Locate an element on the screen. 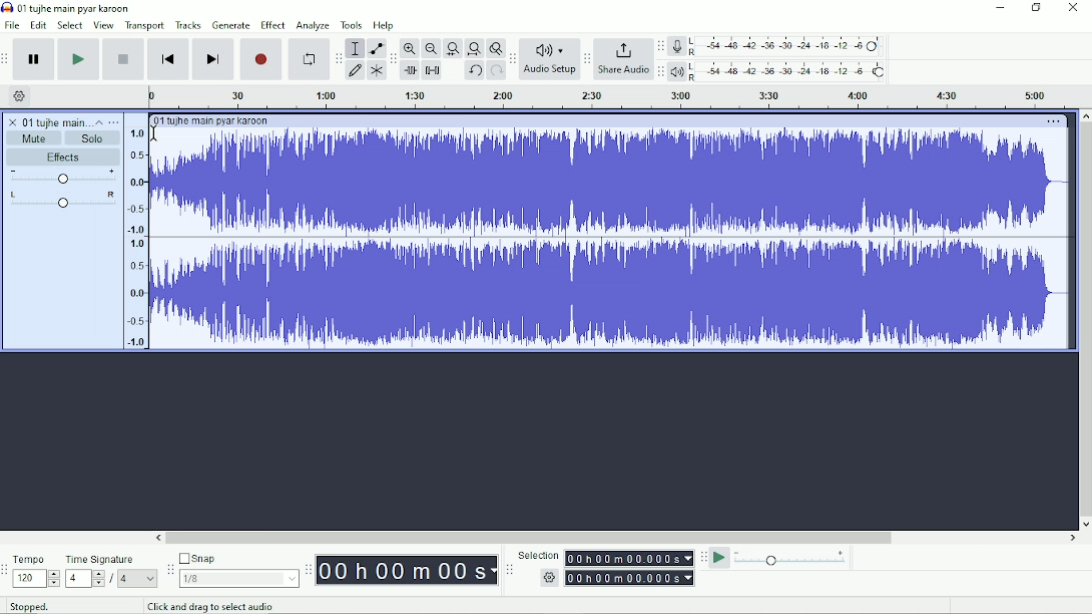 This screenshot has height=614, width=1092. Audacity snapping toolbar is located at coordinates (169, 568).